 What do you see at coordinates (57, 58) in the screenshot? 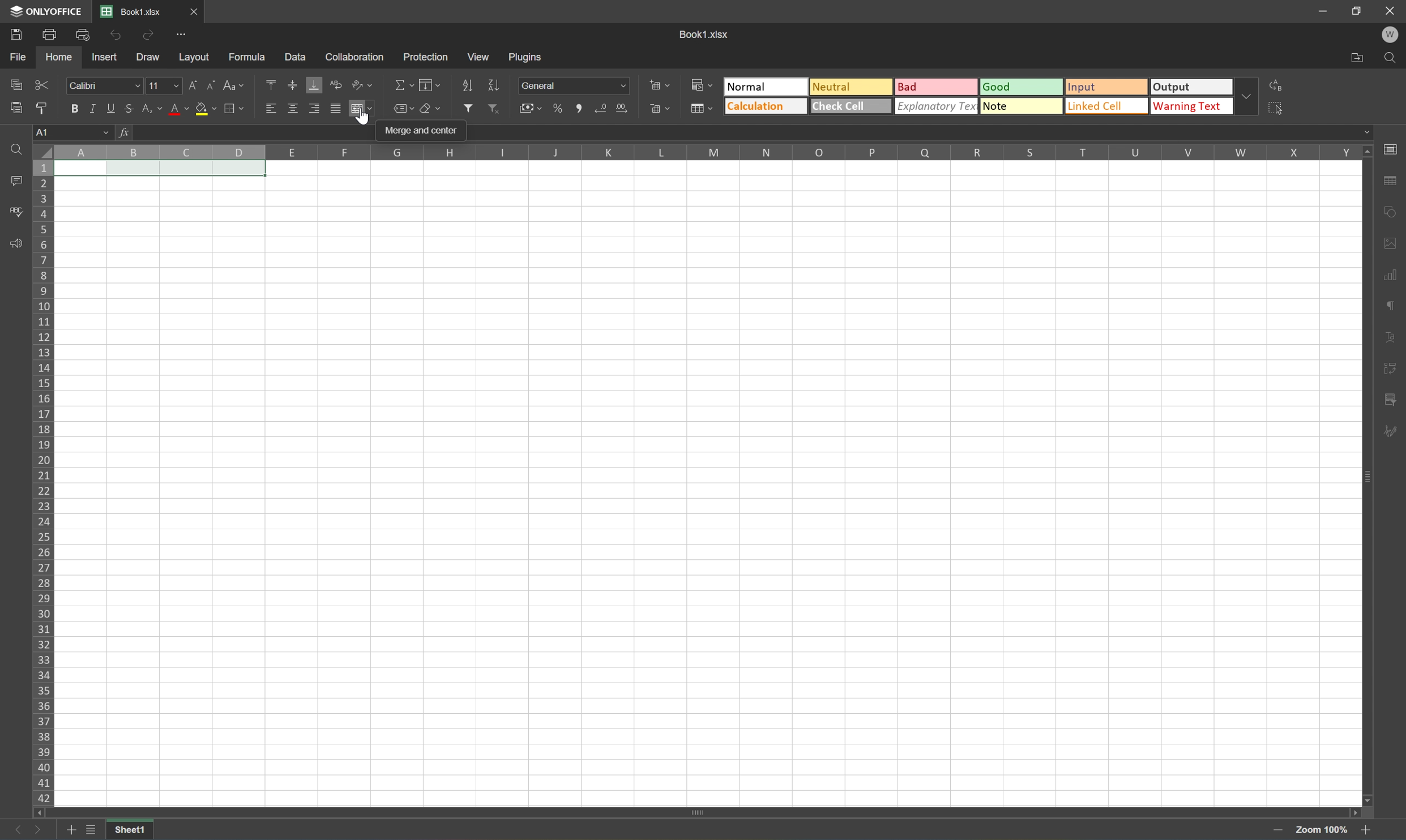
I see `Home` at bounding box center [57, 58].